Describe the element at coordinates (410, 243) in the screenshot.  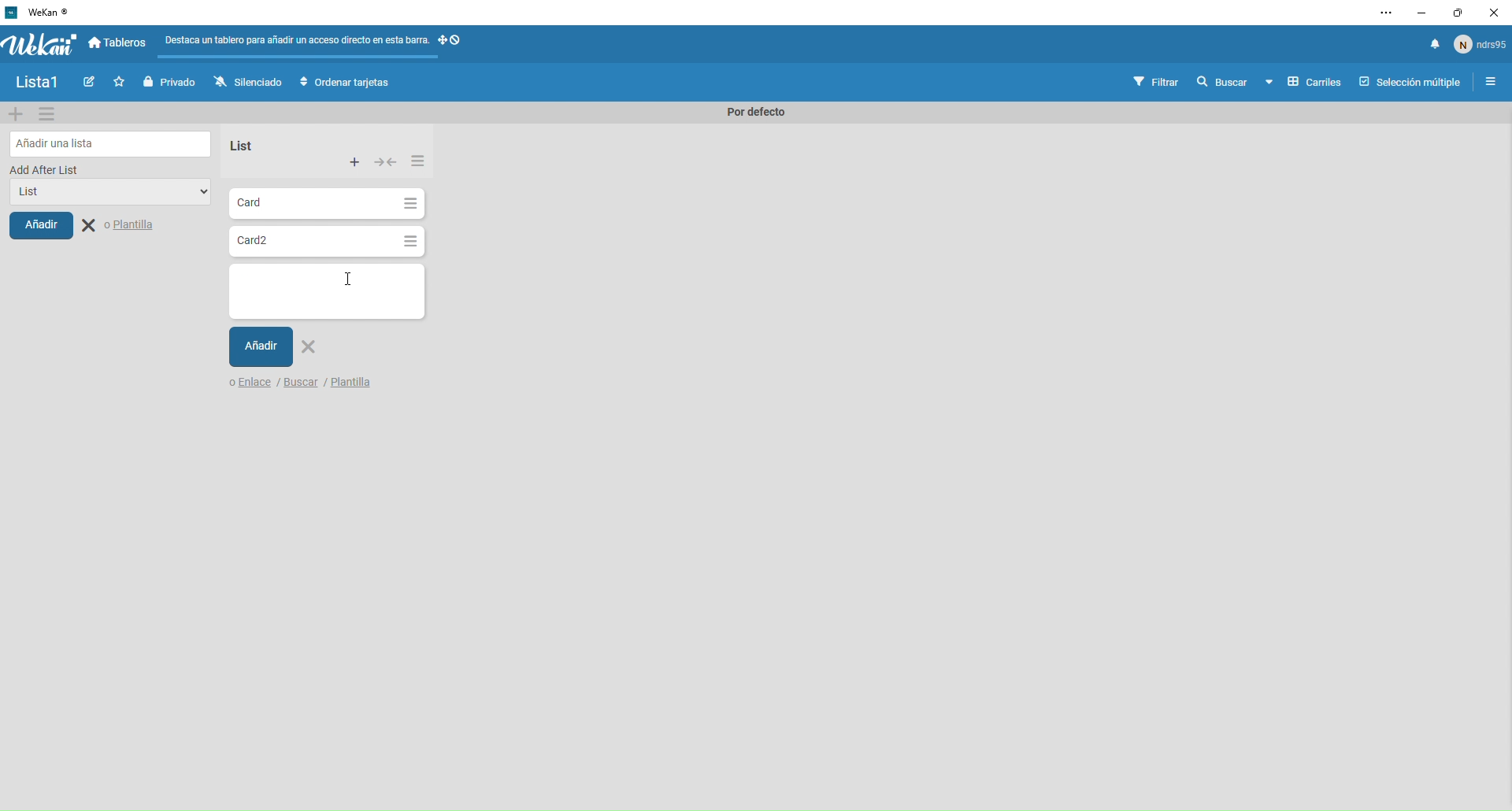
I see `options for card2` at that location.